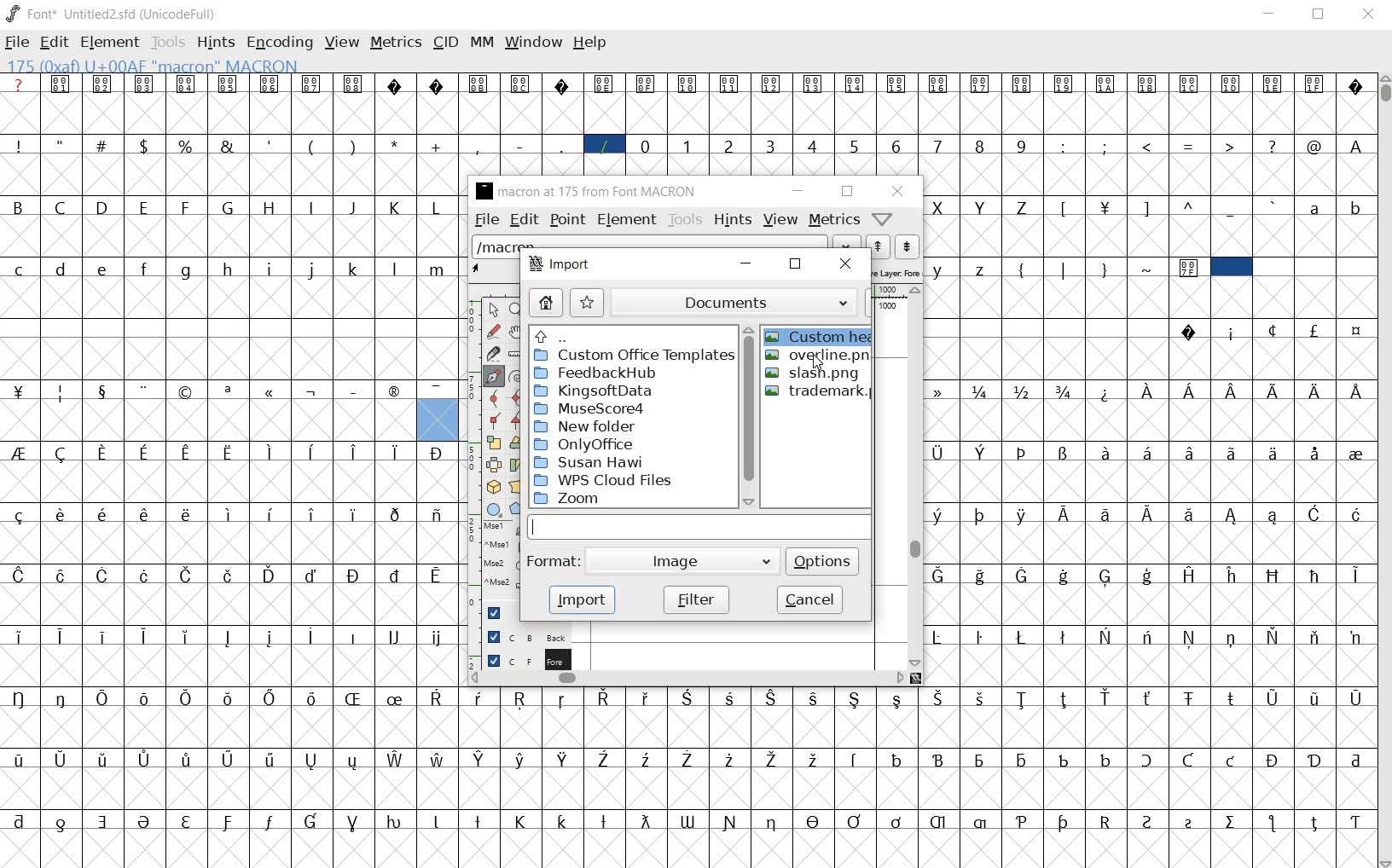 Image resolution: width=1392 pixels, height=868 pixels. What do you see at coordinates (148, 698) in the screenshot?
I see `Symbol` at bounding box center [148, 698].